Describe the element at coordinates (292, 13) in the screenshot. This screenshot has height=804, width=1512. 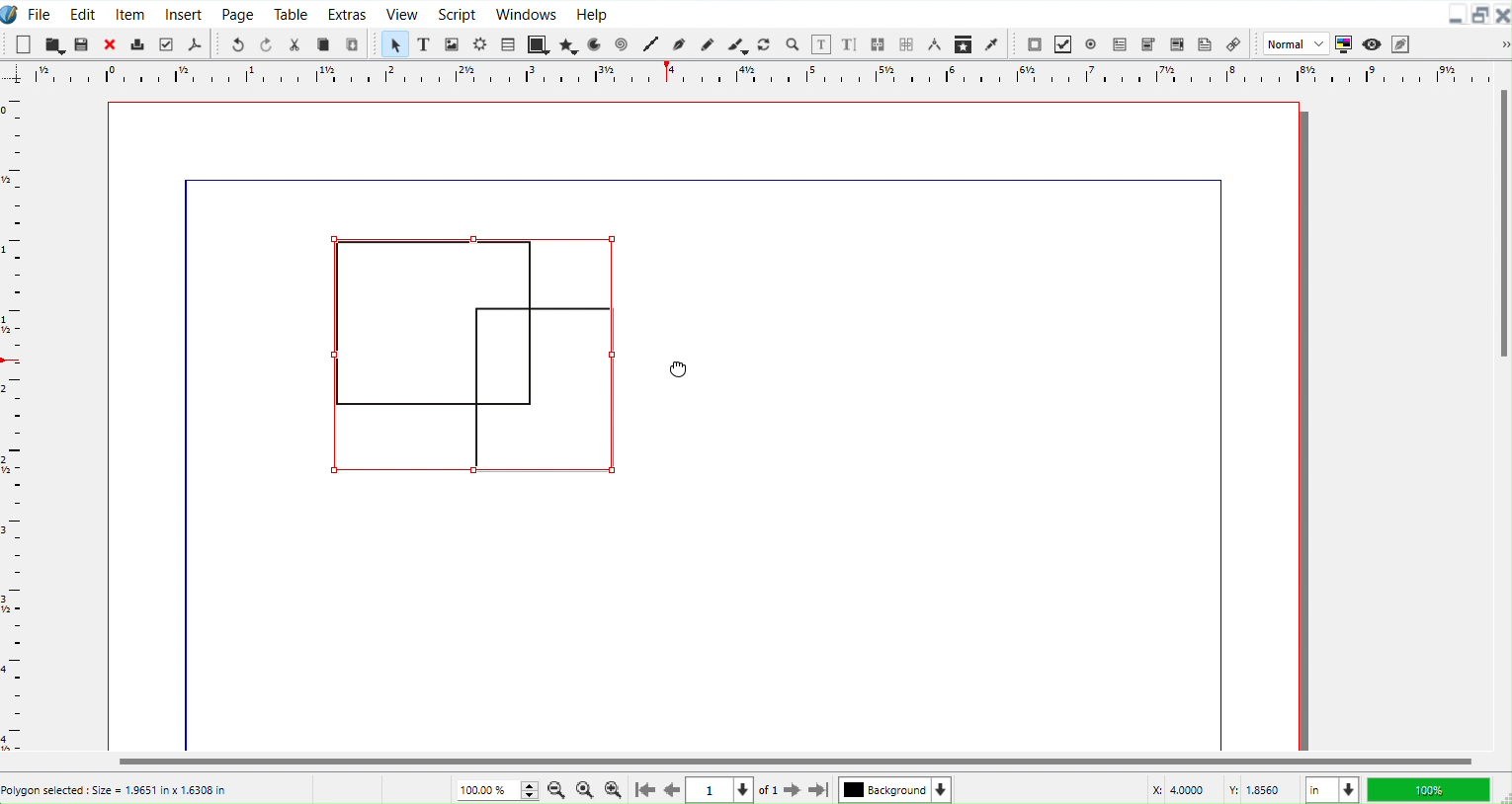
I see `Table` at that location.